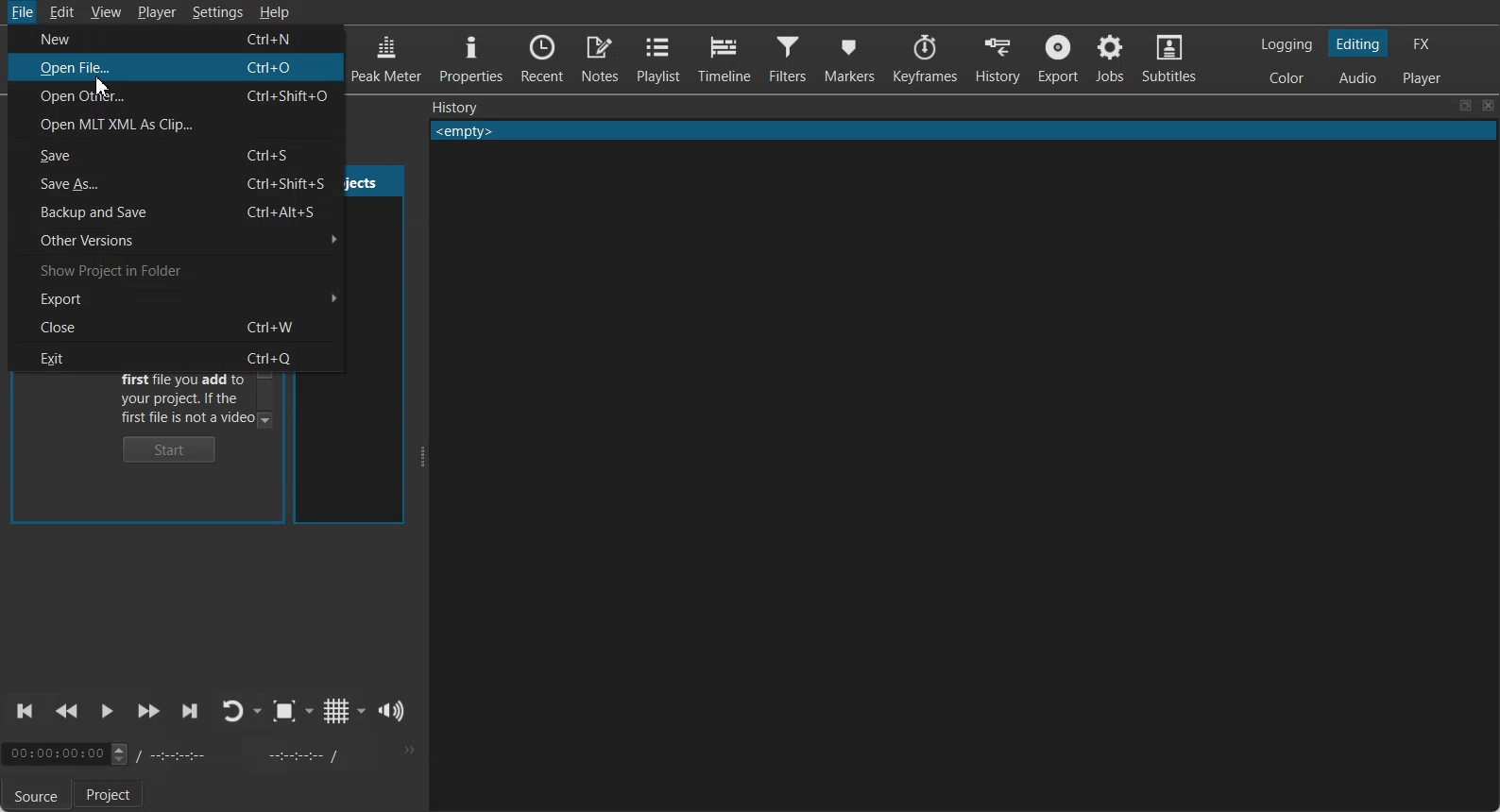  I want to click on Project, so click(111, 795).